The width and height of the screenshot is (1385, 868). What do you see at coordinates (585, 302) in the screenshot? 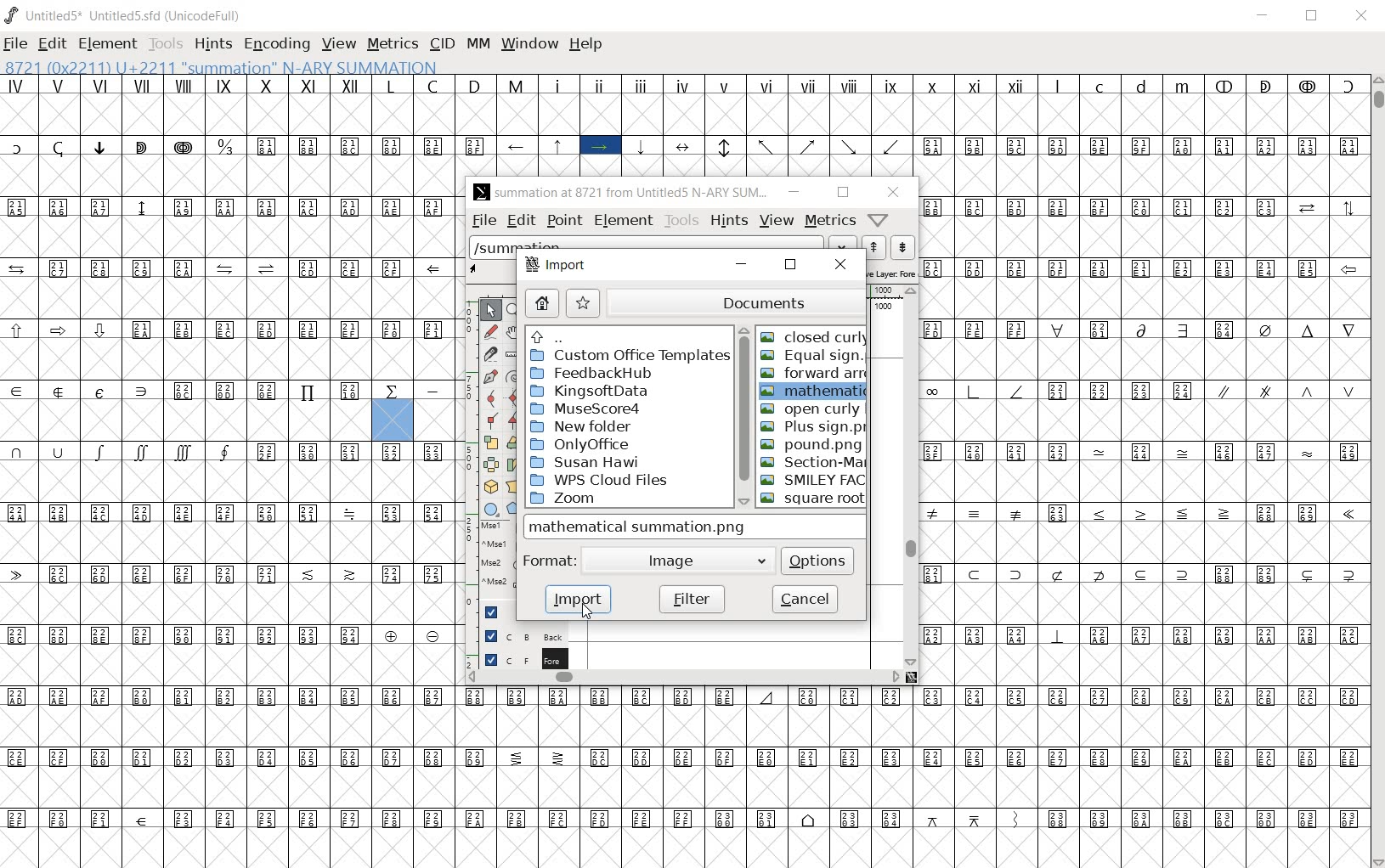
I see `star` at bounding box center [585, 302].